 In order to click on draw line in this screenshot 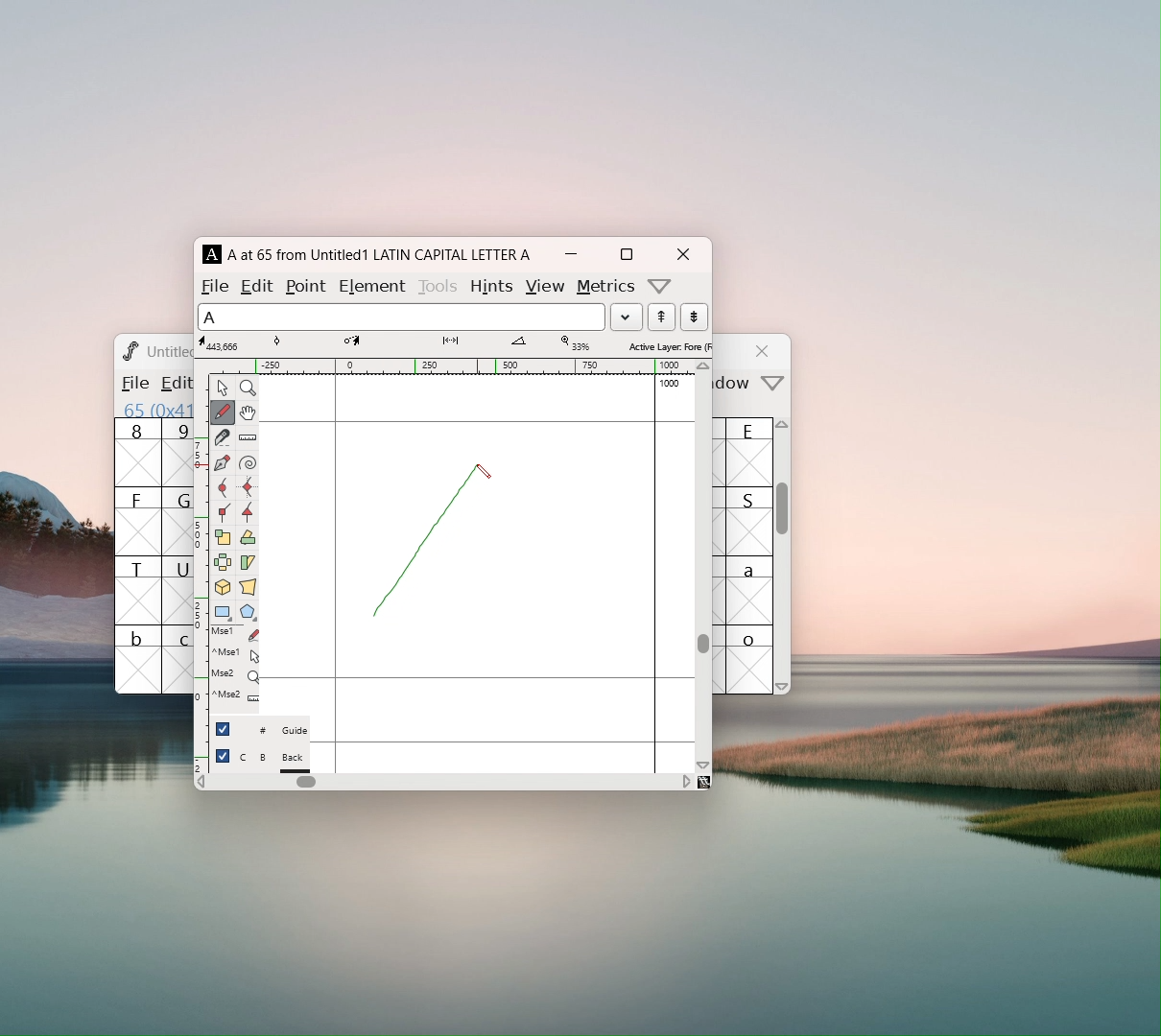, I will do `click(437, 535)`.